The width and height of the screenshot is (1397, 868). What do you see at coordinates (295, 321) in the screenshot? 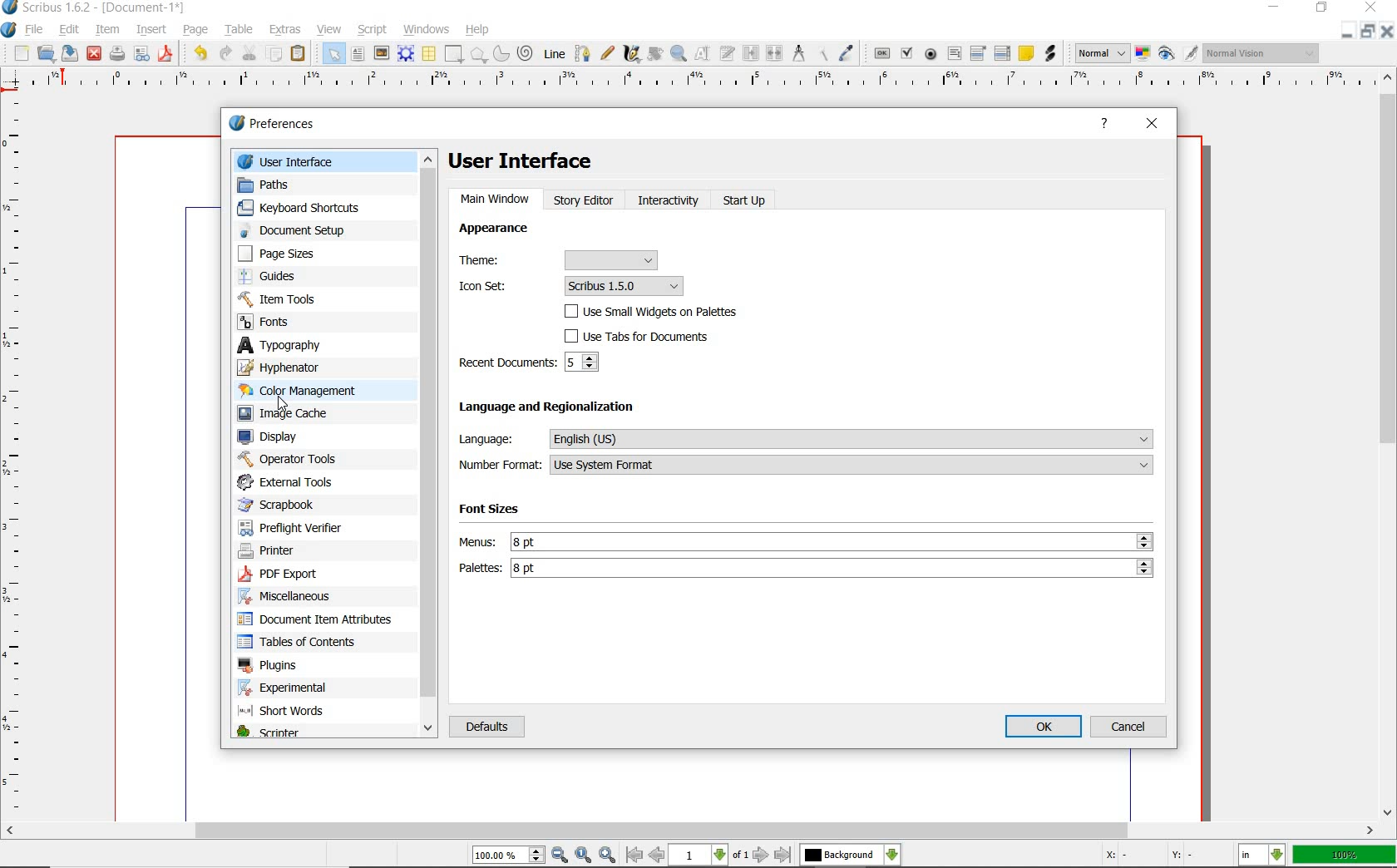
I see `fonts` at bounding box center [295, 321].